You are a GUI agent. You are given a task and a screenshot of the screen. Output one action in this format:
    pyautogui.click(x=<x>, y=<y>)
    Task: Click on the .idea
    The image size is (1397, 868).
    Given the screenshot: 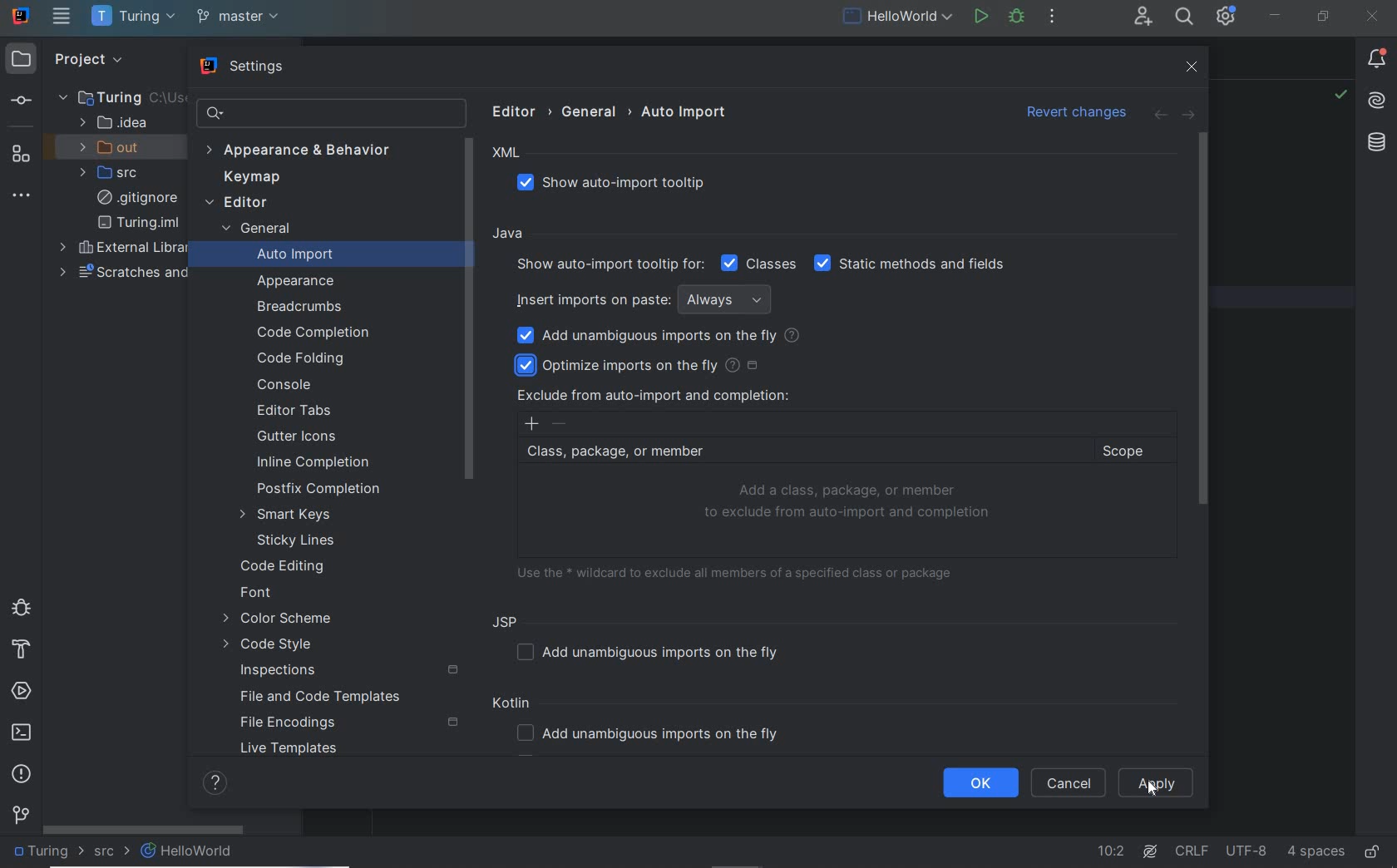 What is the action you would take?
    pyautogui.click(x=114, y=123)
    